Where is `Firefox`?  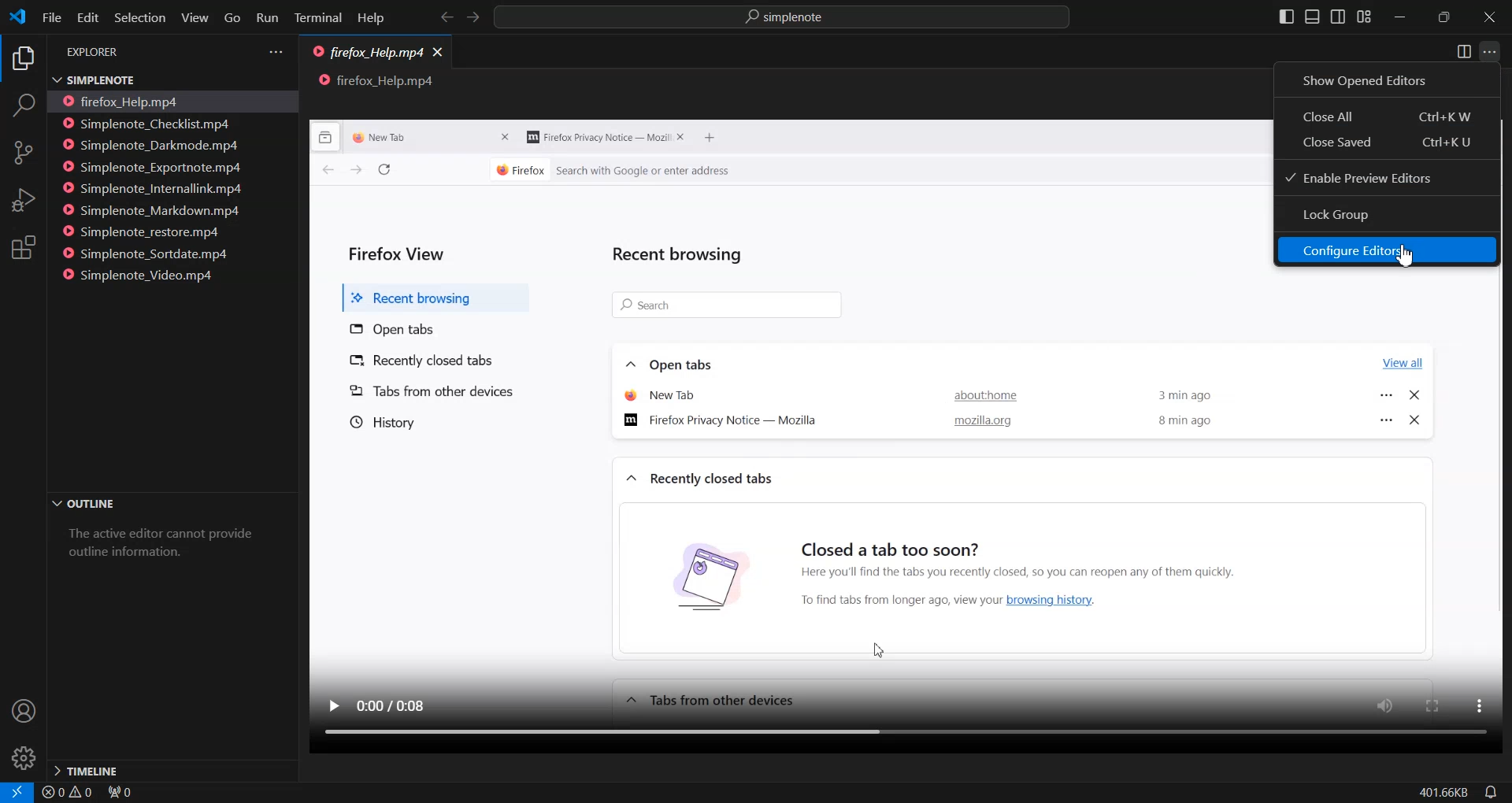 Firefox is located at coordinates (518, 168).